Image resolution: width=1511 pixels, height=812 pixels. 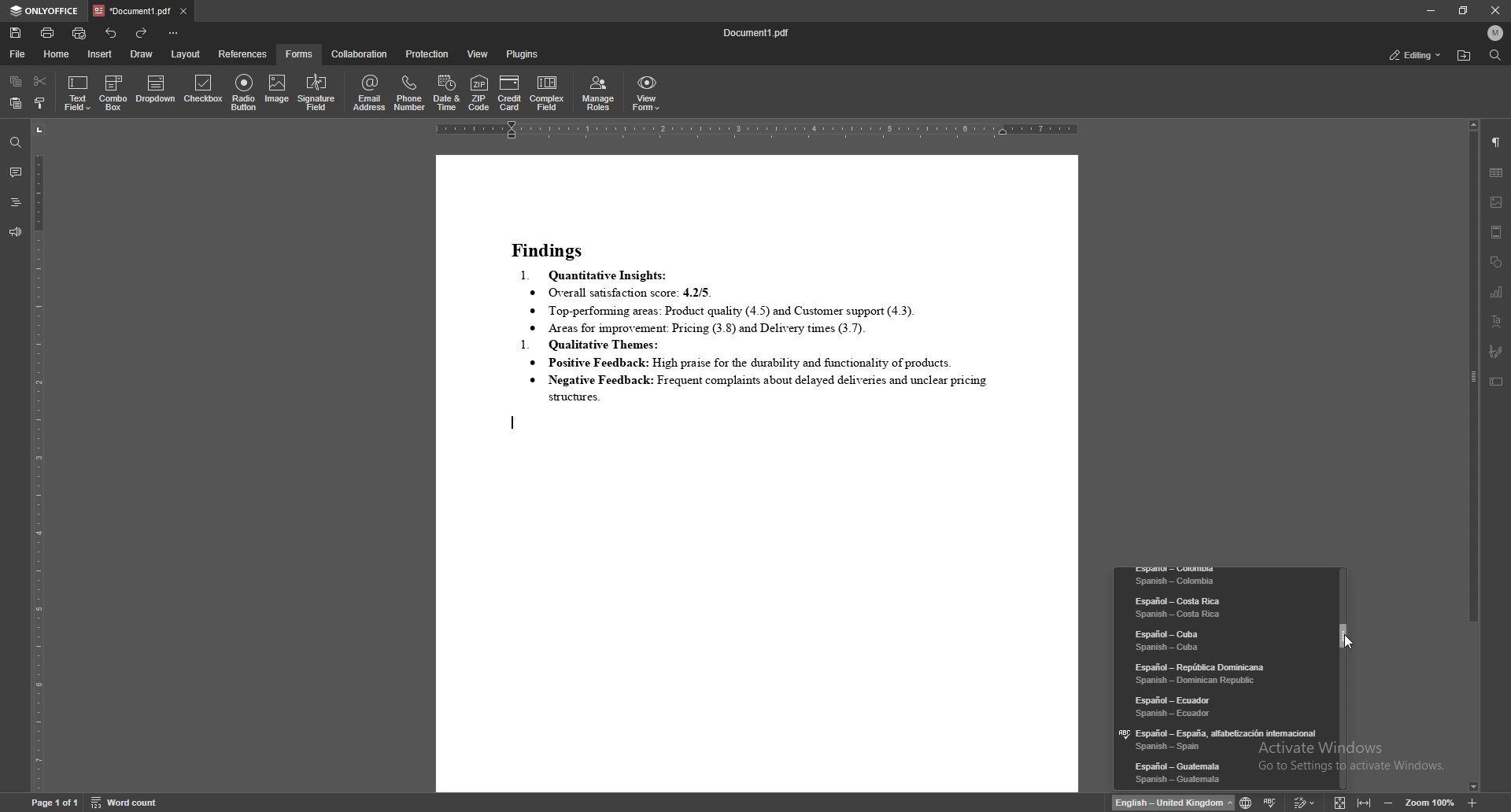 I want to click on copy style, so click(x=39, y=104).